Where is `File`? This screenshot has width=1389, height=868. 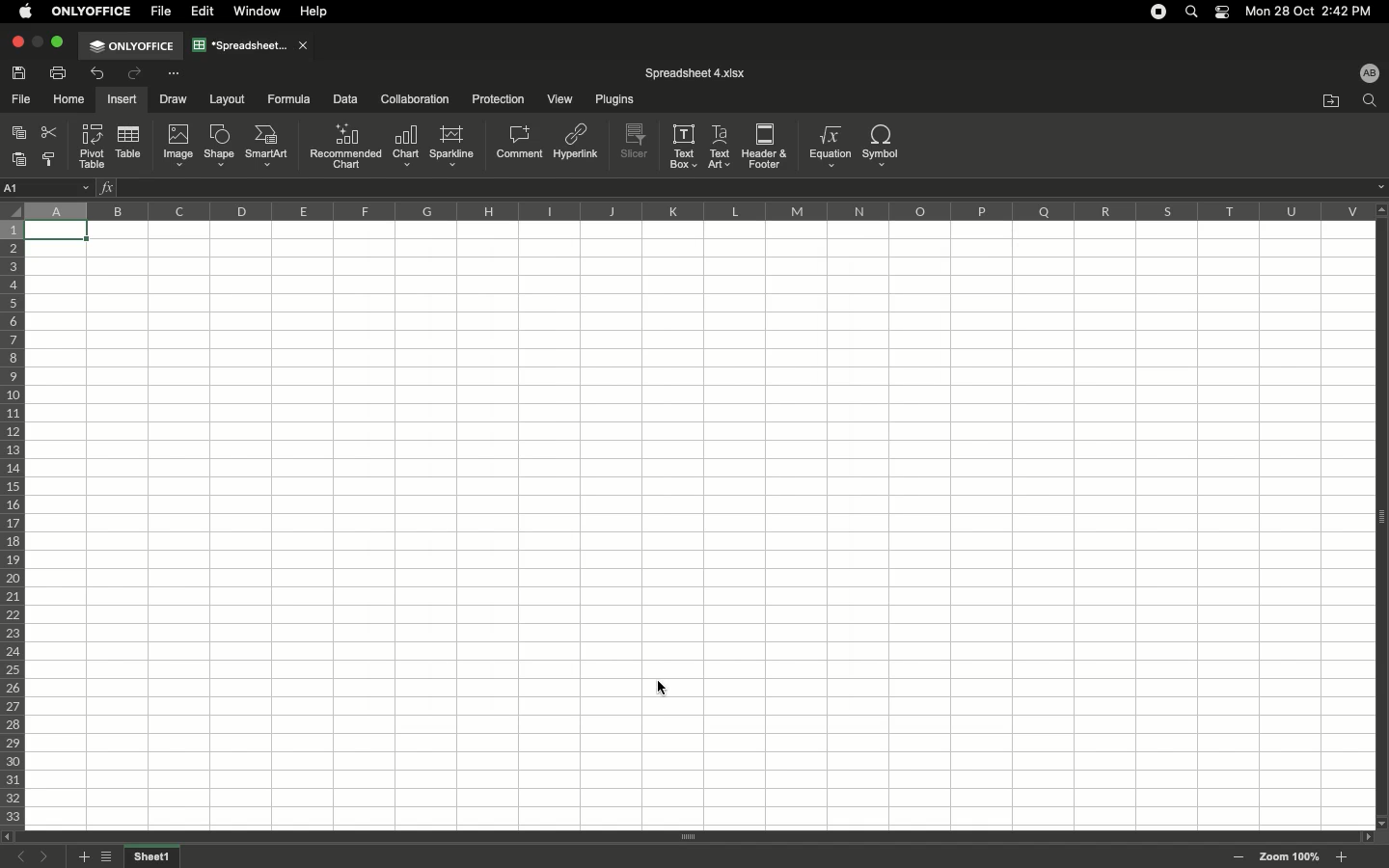
File is located at coordinates (22, 100).